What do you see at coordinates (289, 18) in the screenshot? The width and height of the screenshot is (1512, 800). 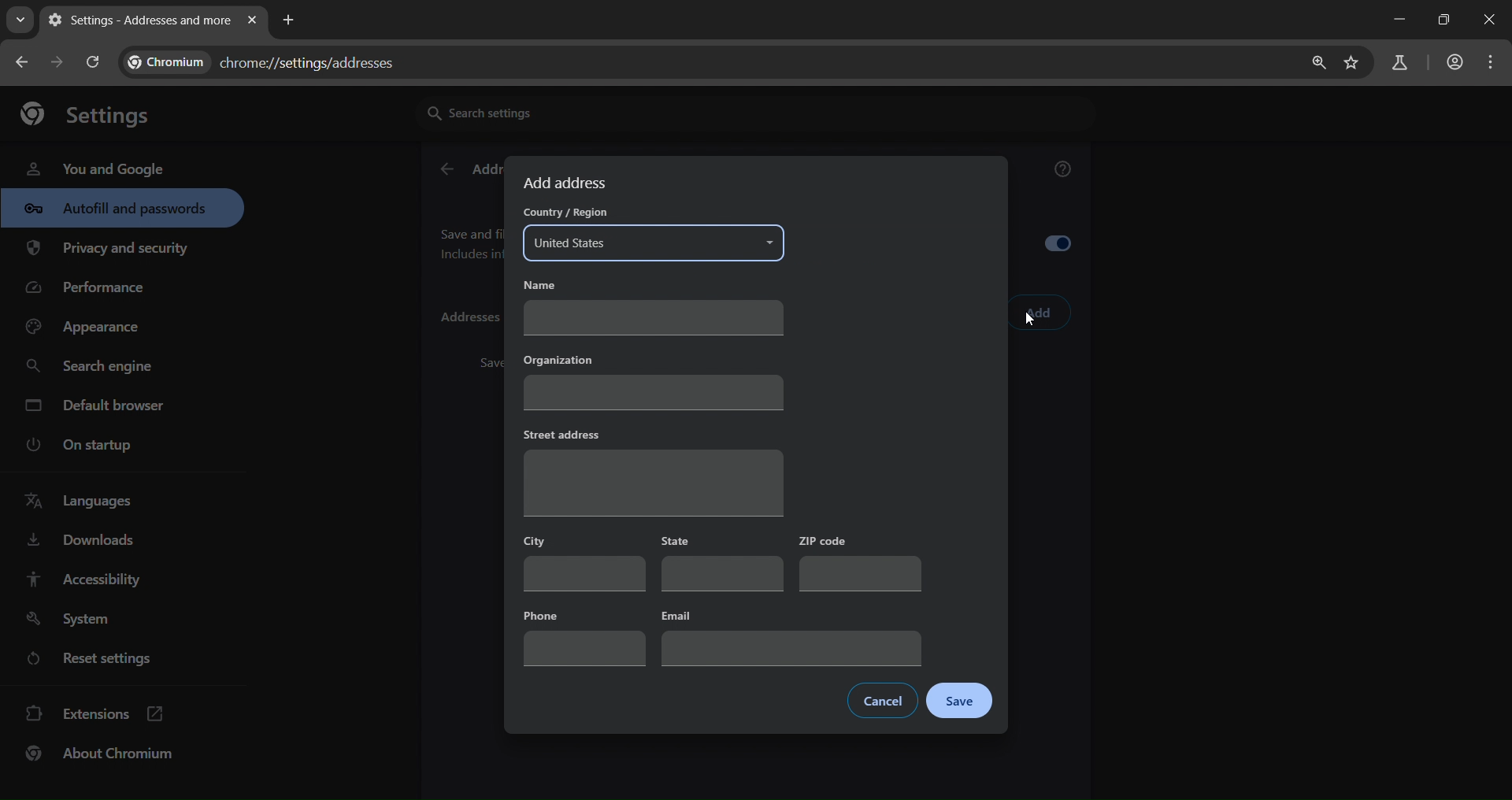 I see `new tab` at bounding box center [289, 18].